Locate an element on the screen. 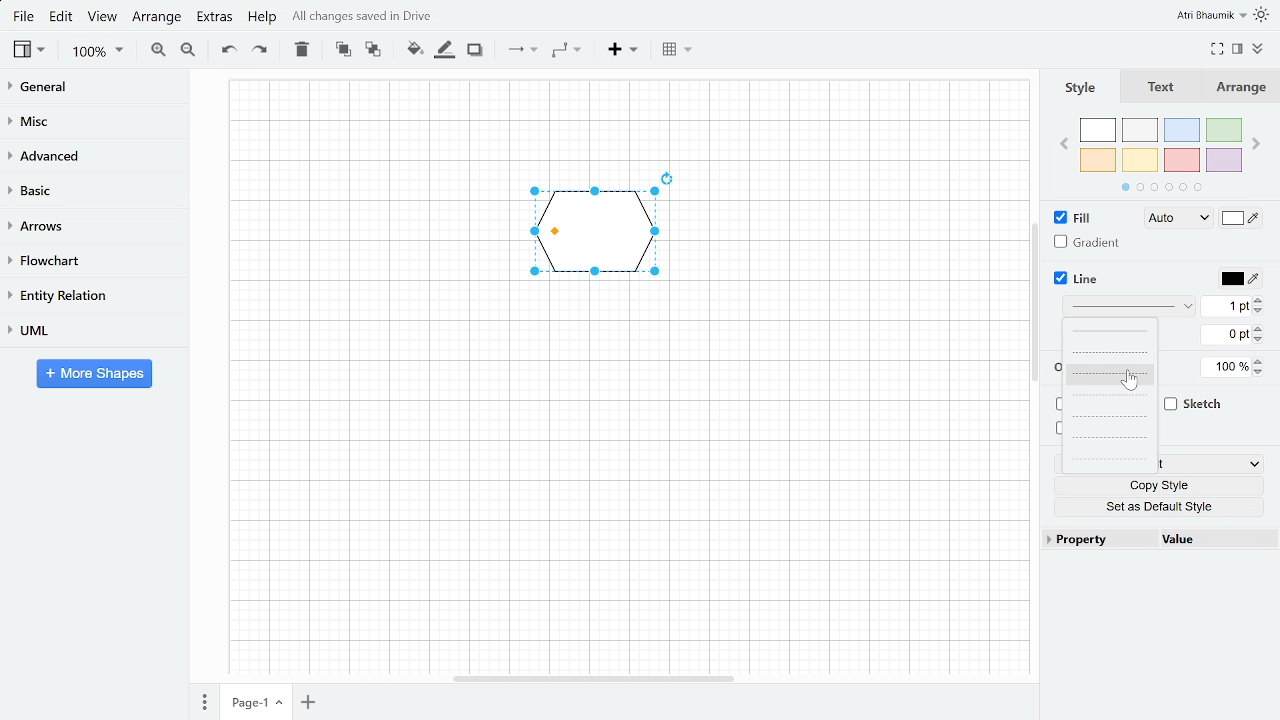 This screenshot has height=720, width=1280. To front is located at coordinates (343, 51).